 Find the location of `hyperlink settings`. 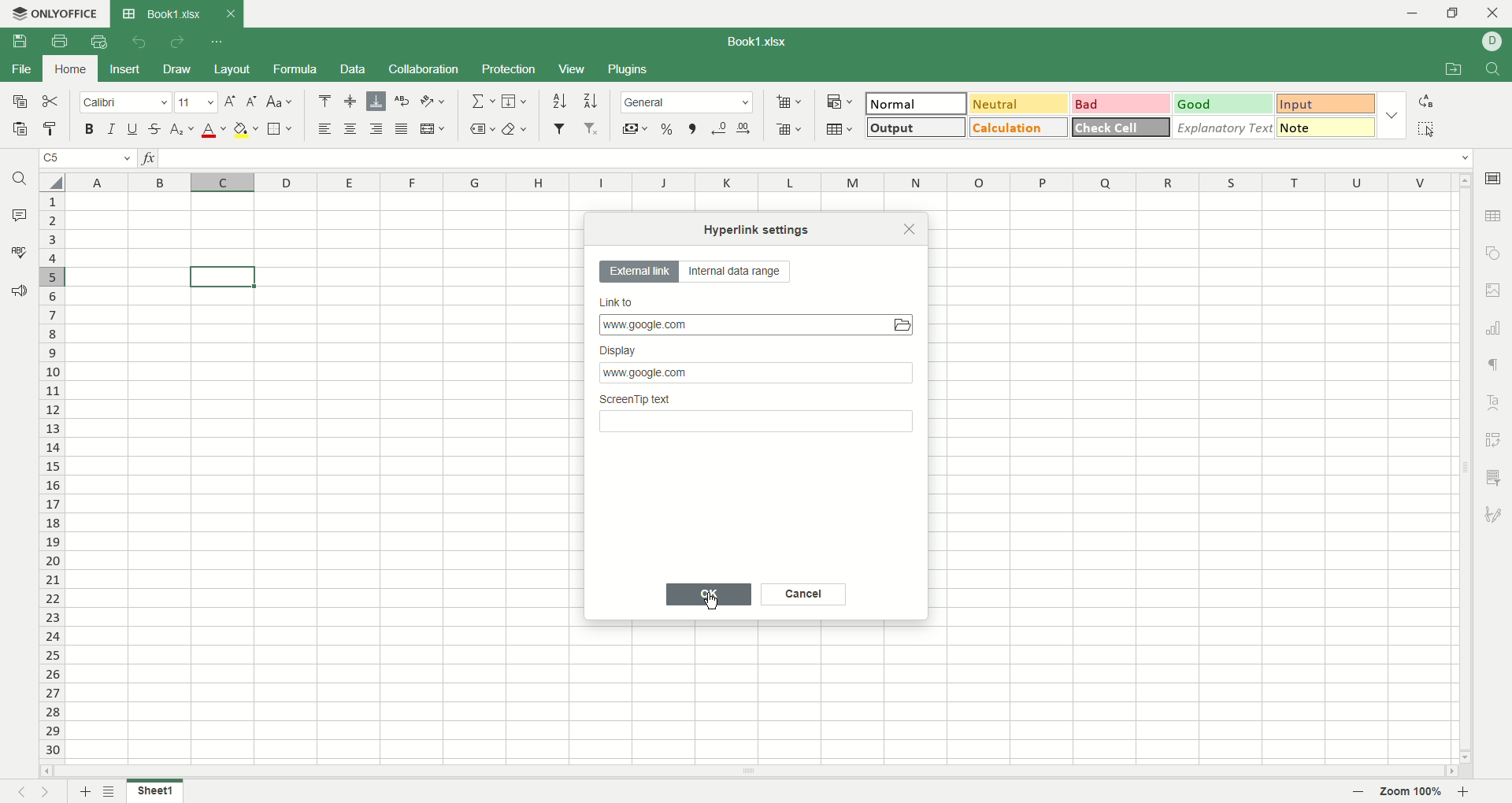

hyperlink settings is located at coordinates (759, 229).